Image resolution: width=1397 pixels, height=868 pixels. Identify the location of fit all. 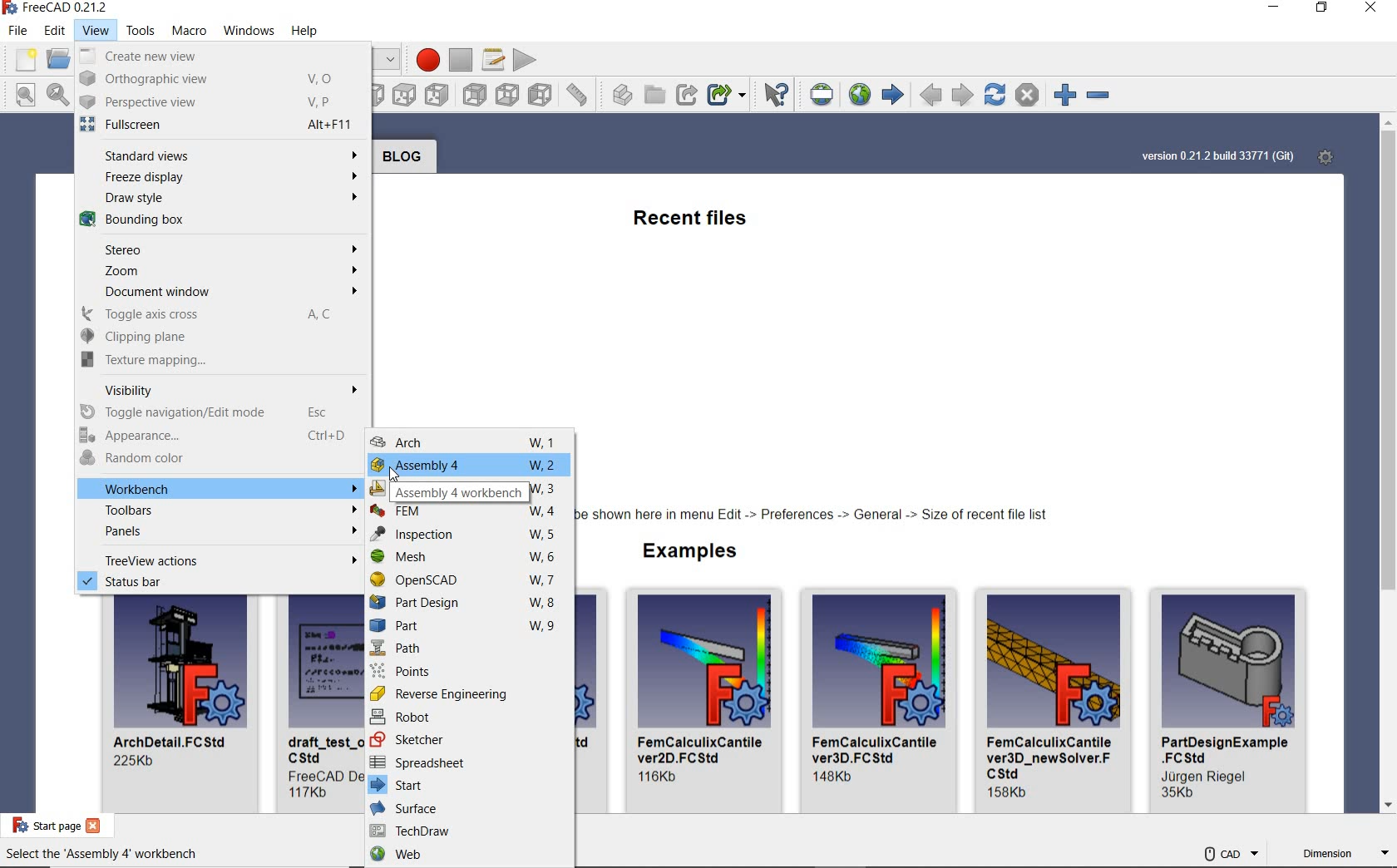
(22, 95).